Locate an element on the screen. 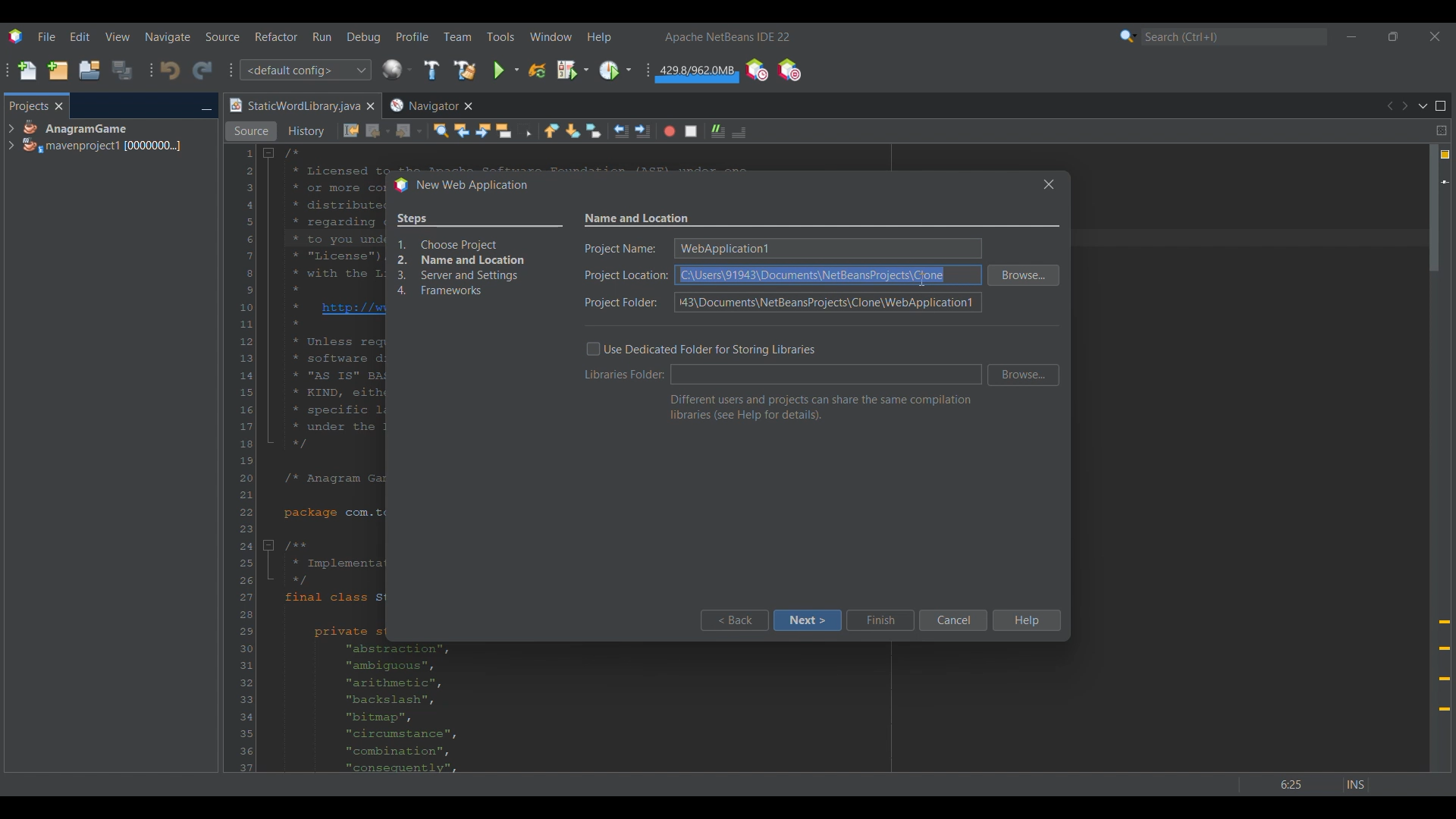 The image size is (1456, 819). Text box for each respective detail is located at coordinates (826, 276).